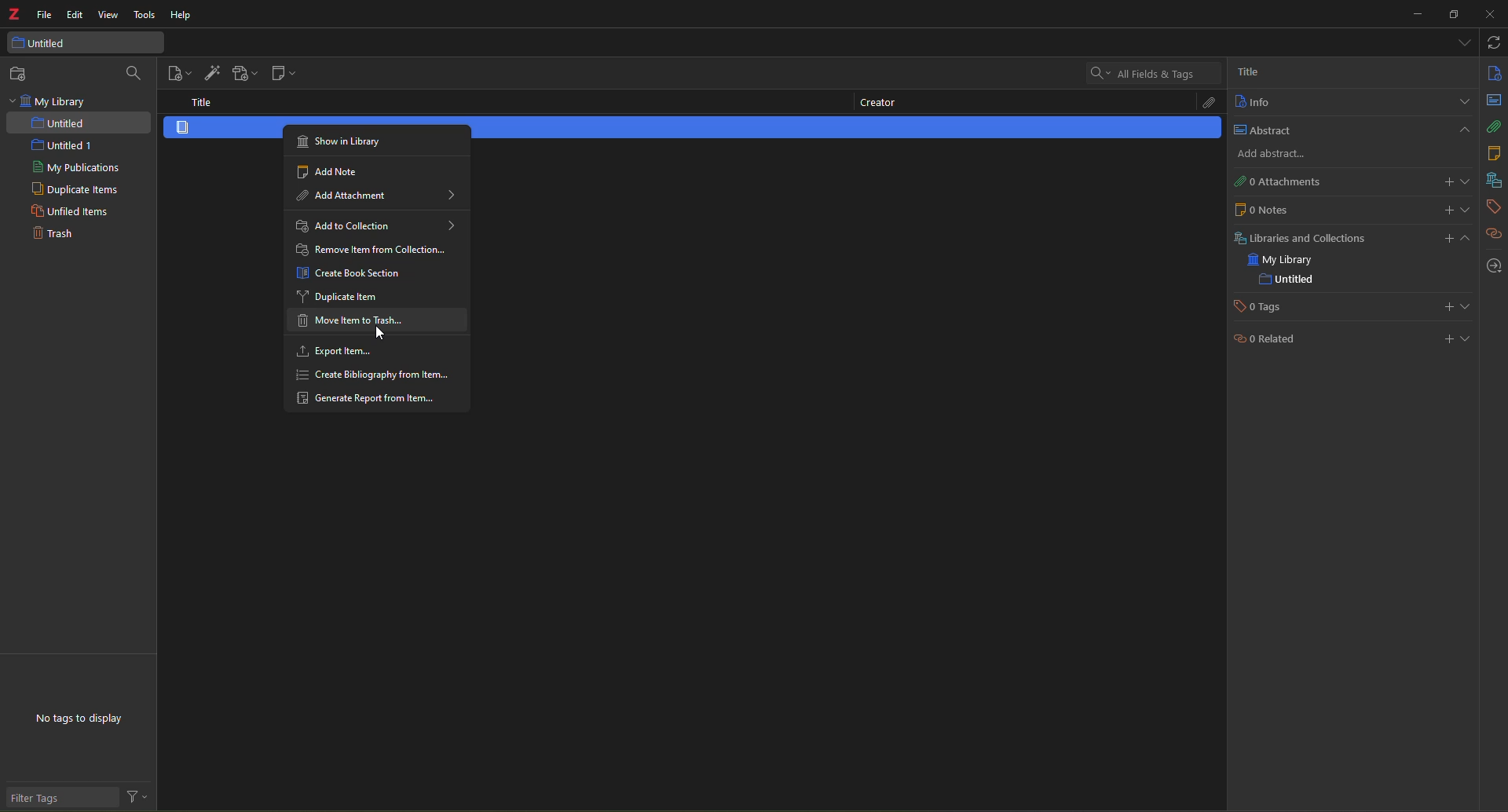  What do you see at coordinates (179, 16) in the screenshot?
I see `help` at bounding box center [179, 16].